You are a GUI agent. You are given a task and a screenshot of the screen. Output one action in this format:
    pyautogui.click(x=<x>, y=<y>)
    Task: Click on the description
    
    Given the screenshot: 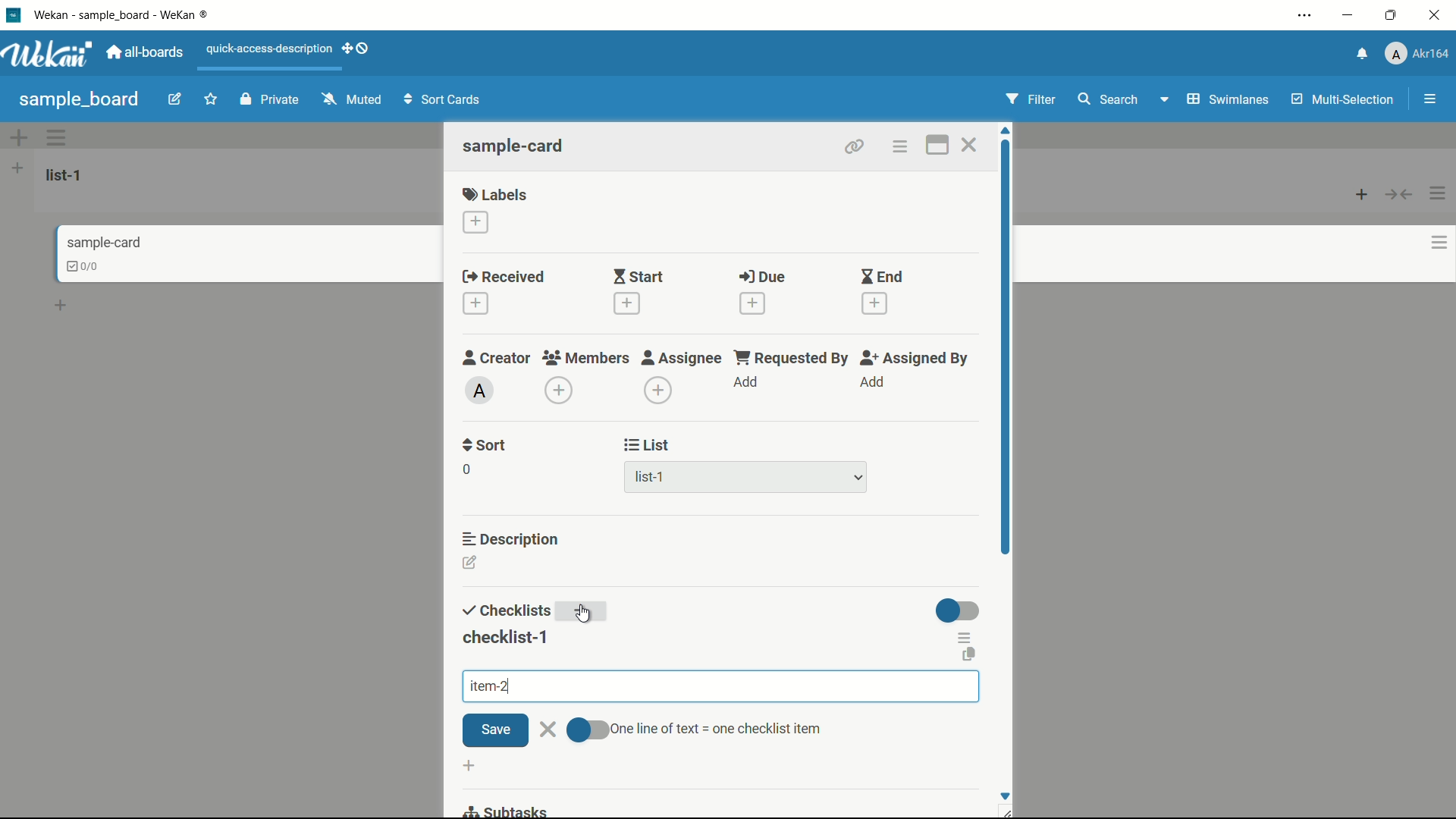 What is the action you would take?
    pyautogui.click(x=512, y=538)
    